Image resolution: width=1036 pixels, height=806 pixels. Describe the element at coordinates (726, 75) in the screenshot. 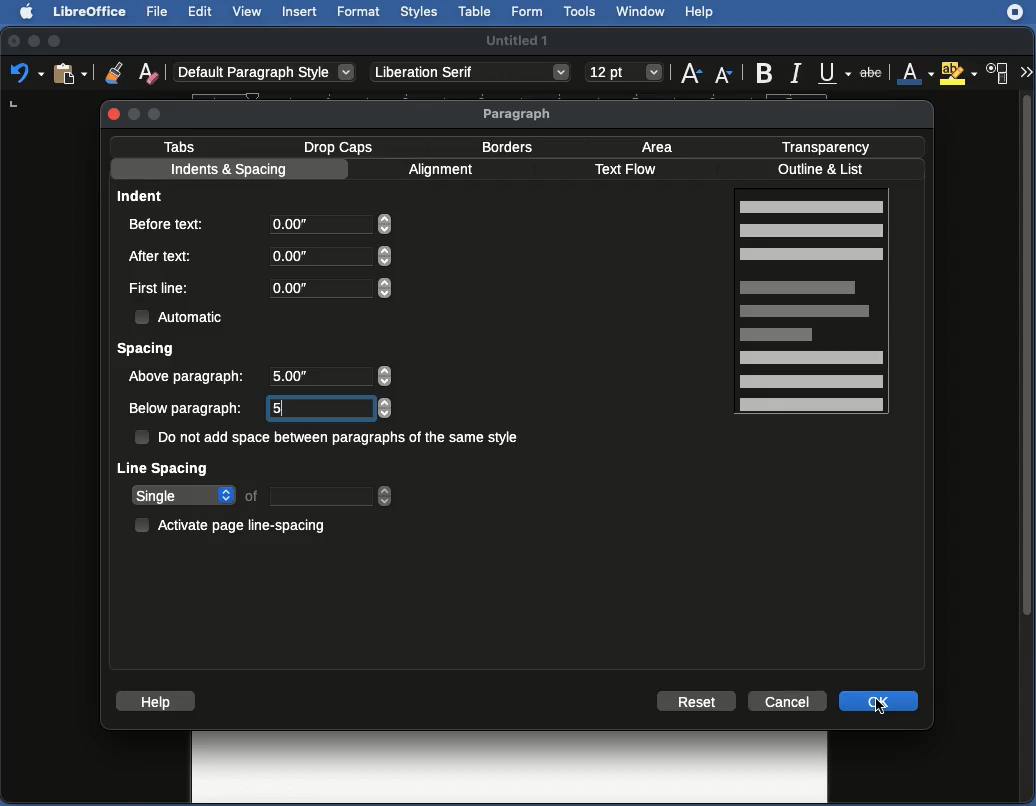

I see `Font size decrease` at that location.